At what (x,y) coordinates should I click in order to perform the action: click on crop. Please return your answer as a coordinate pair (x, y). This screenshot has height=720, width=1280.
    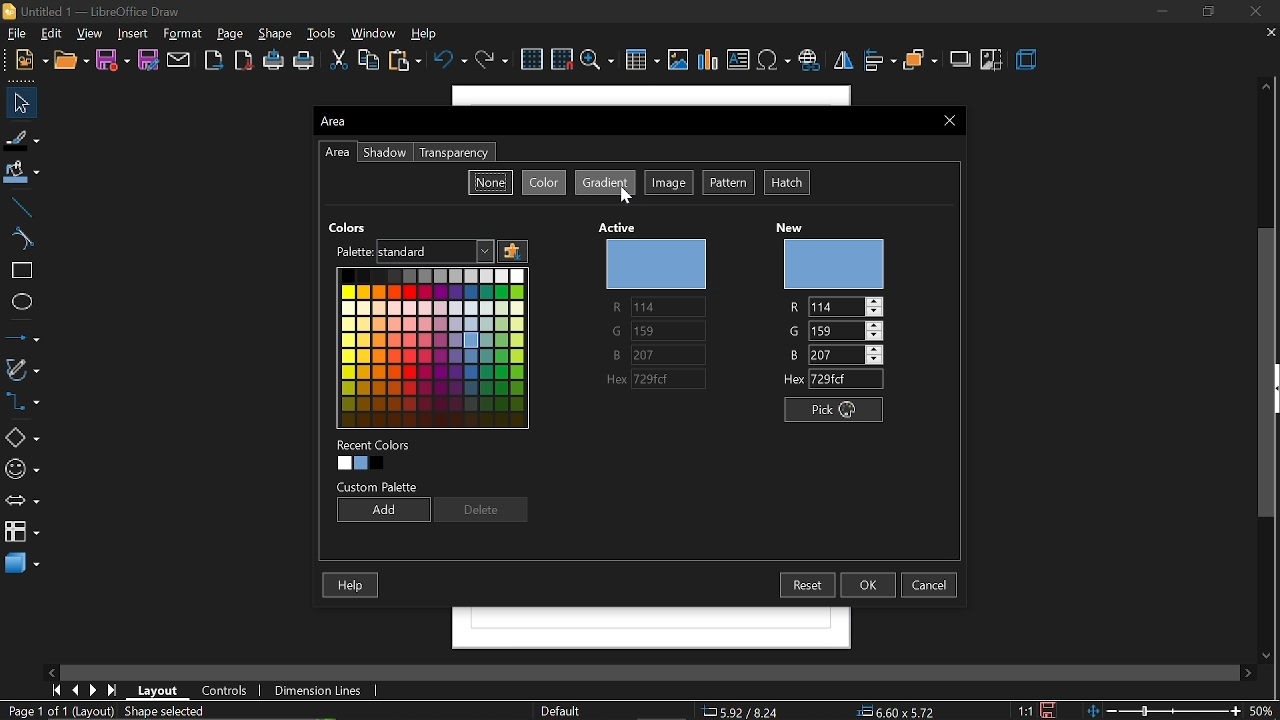
    Looking at the image, I should click on (992, 59).